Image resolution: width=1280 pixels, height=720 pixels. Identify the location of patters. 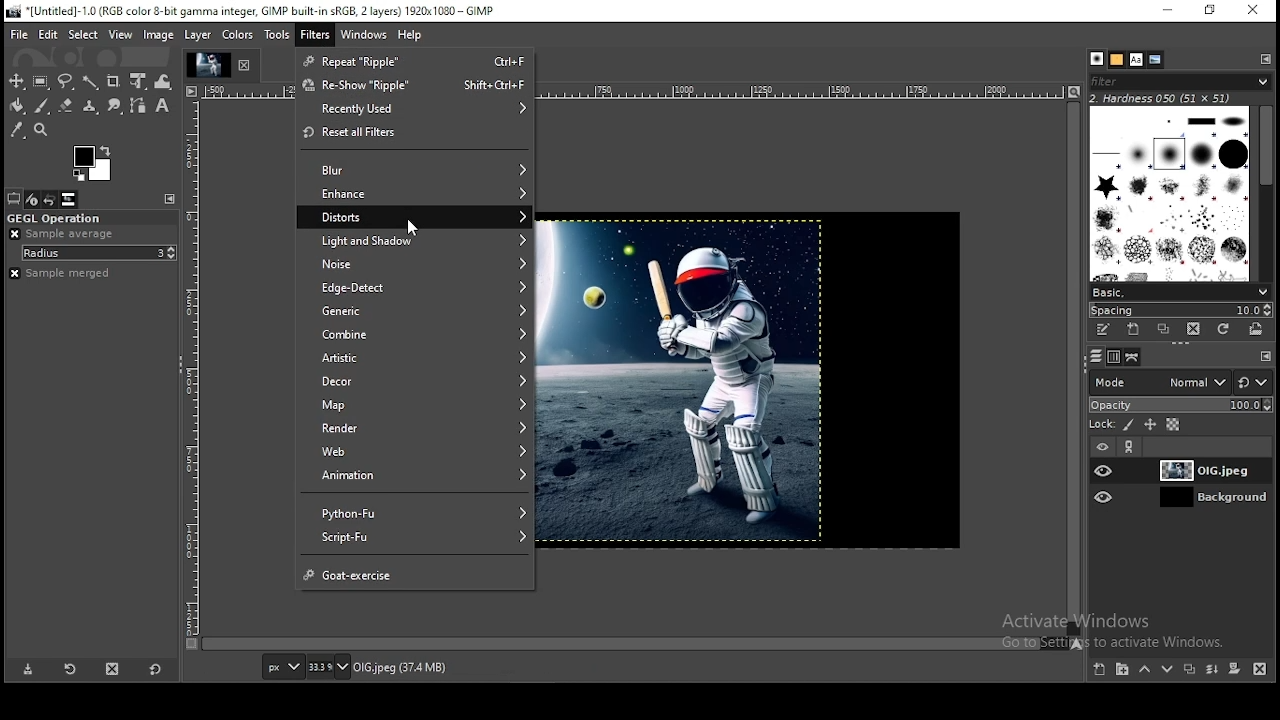
(1117, 60).